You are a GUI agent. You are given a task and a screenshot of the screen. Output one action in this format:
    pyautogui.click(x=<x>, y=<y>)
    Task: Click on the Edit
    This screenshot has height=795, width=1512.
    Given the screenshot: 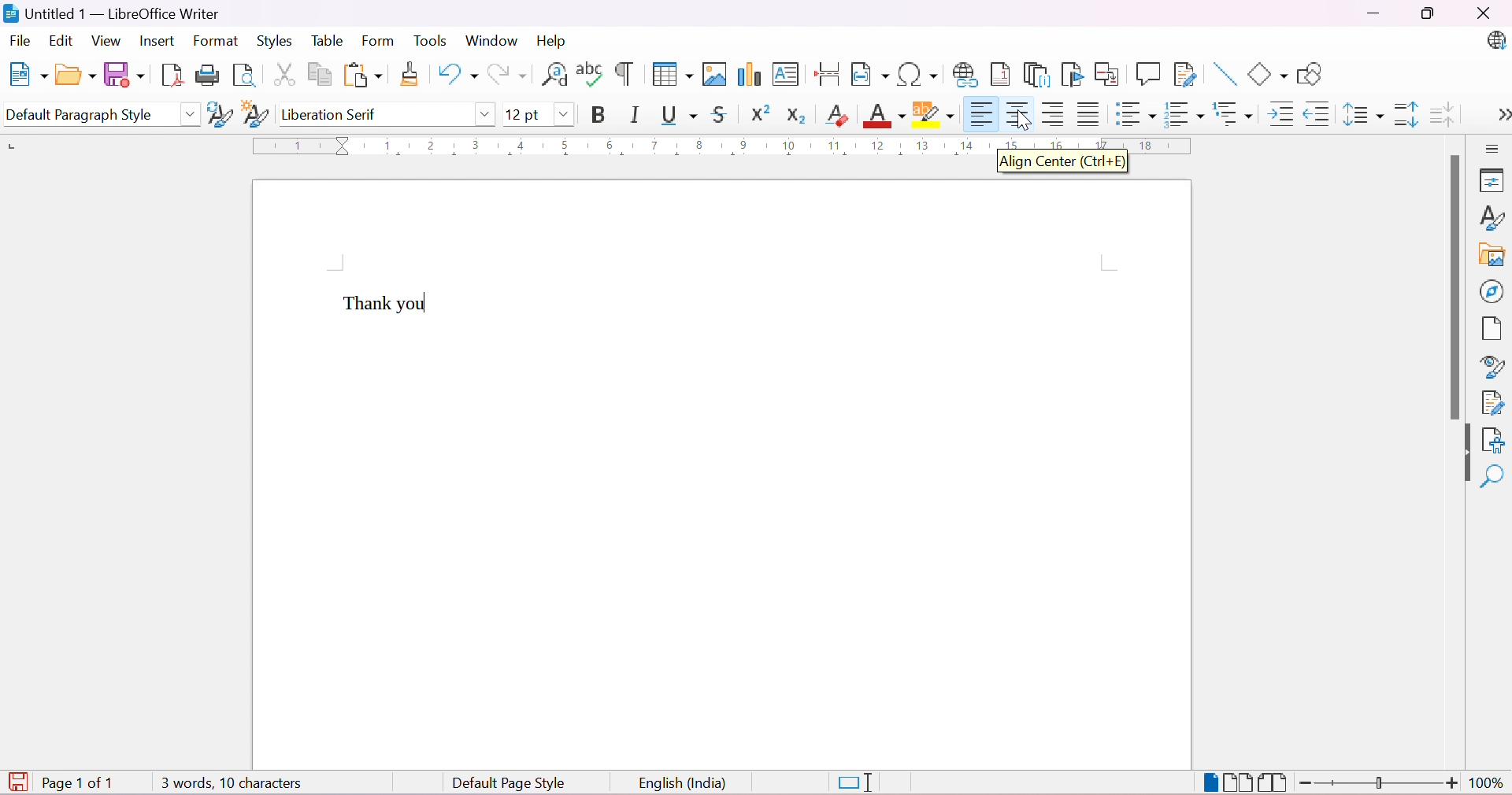 What is the action you would take?
    pyautogui.click(x=61, y=42)
    